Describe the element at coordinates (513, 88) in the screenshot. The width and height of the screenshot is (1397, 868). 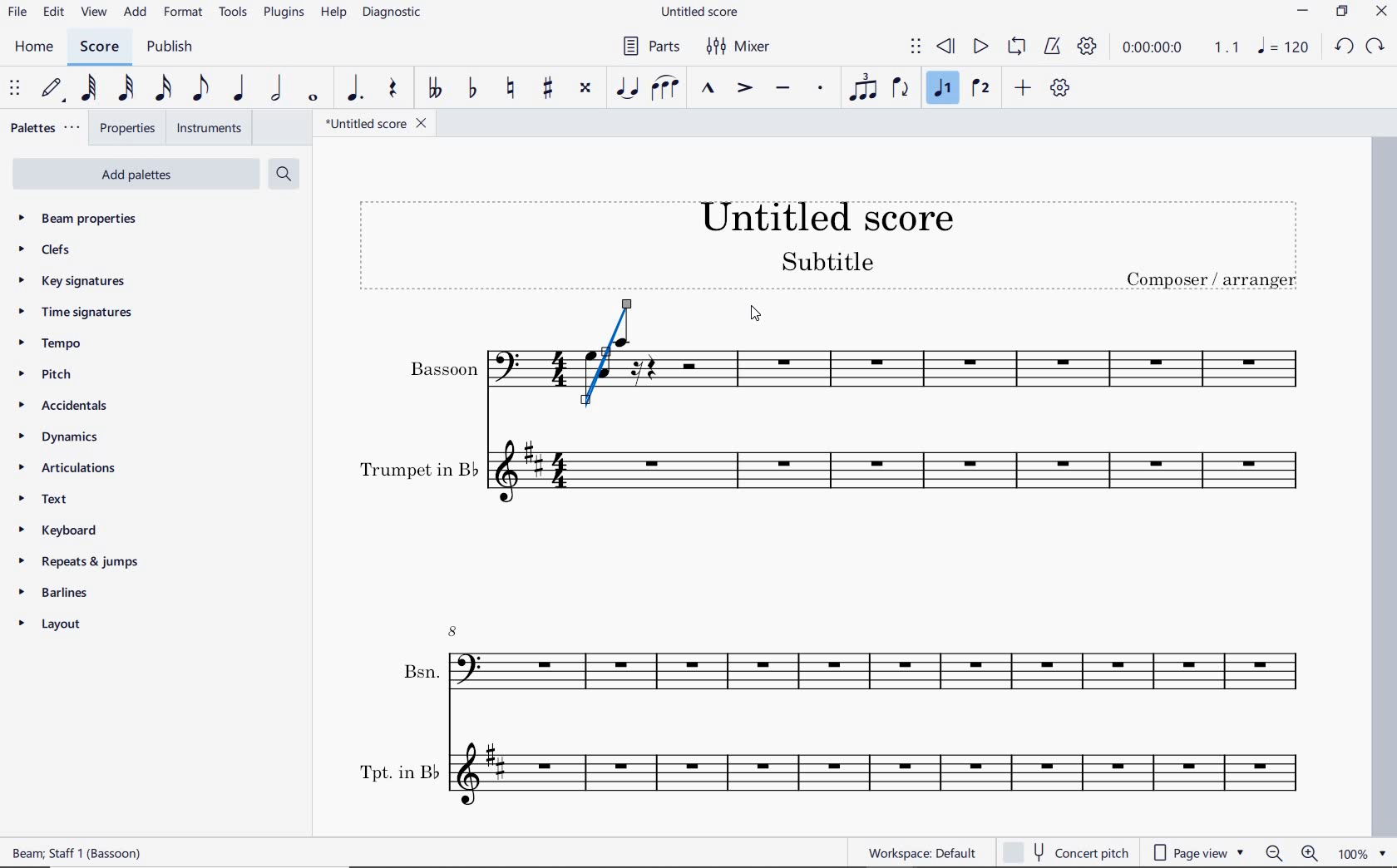
I see `toggle natural` at that location.